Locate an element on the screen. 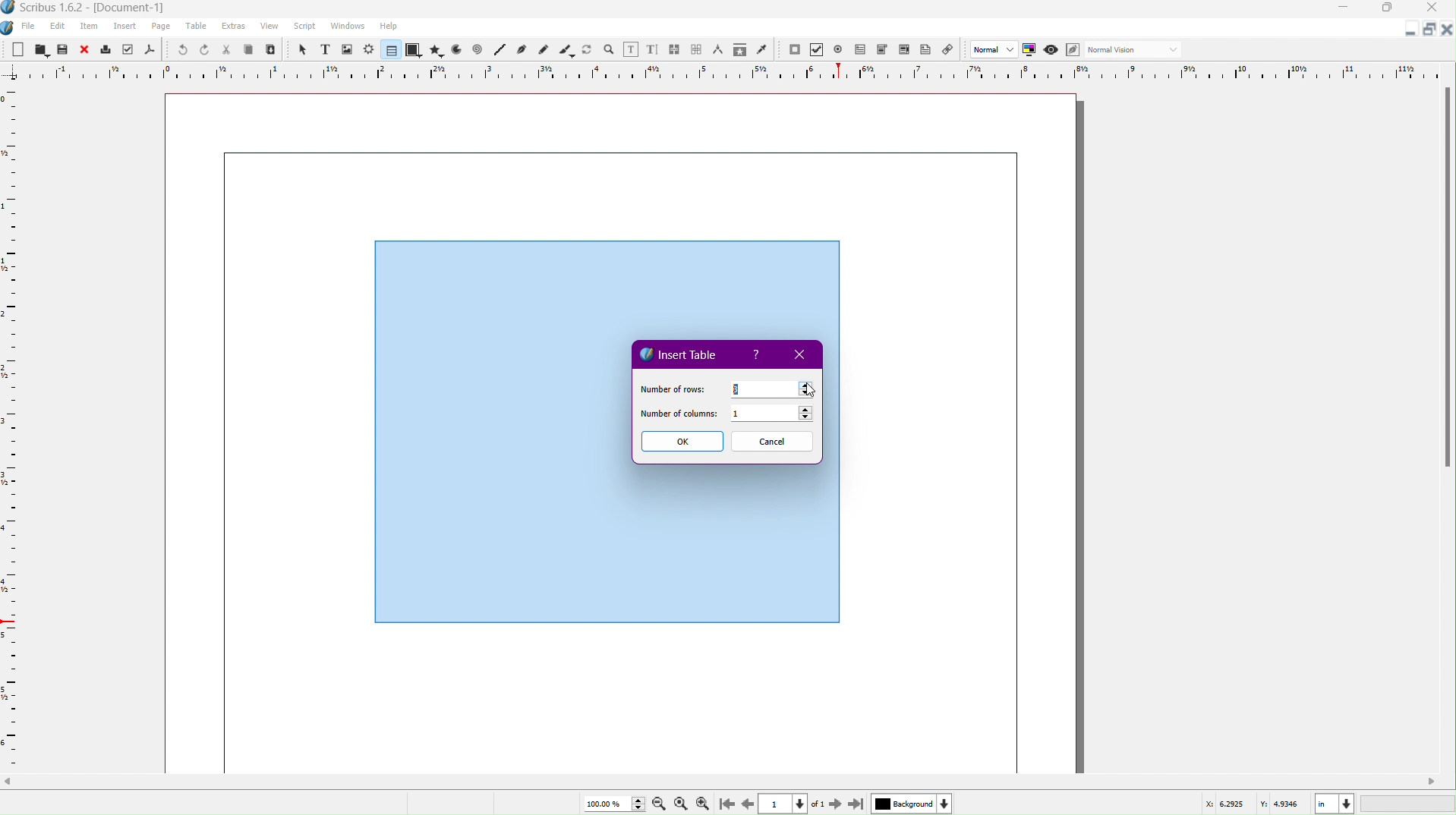  Save is located at coordinates (64, 49).